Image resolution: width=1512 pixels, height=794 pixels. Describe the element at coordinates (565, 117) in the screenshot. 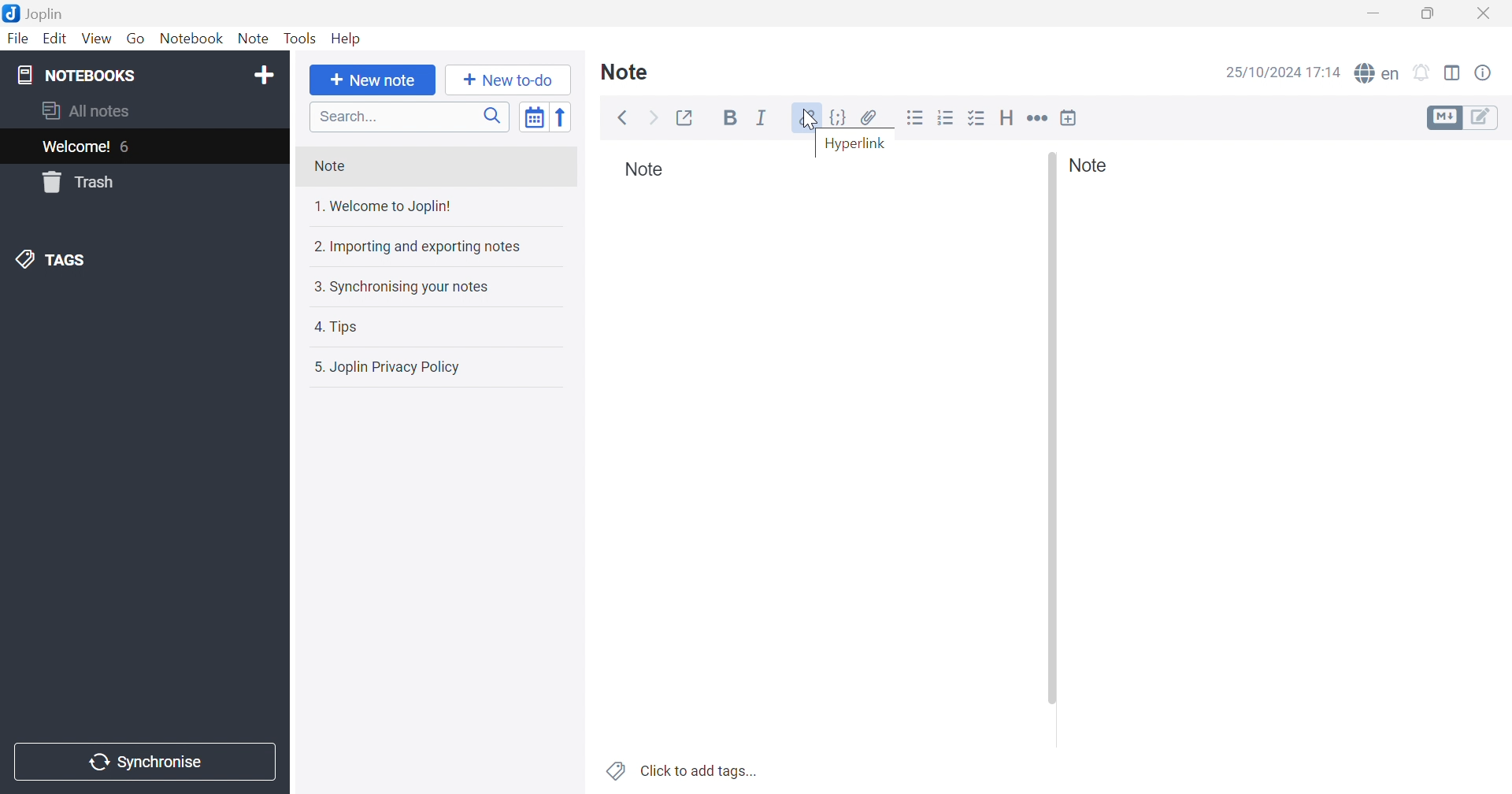

I see `Reverse sort order` at that location.